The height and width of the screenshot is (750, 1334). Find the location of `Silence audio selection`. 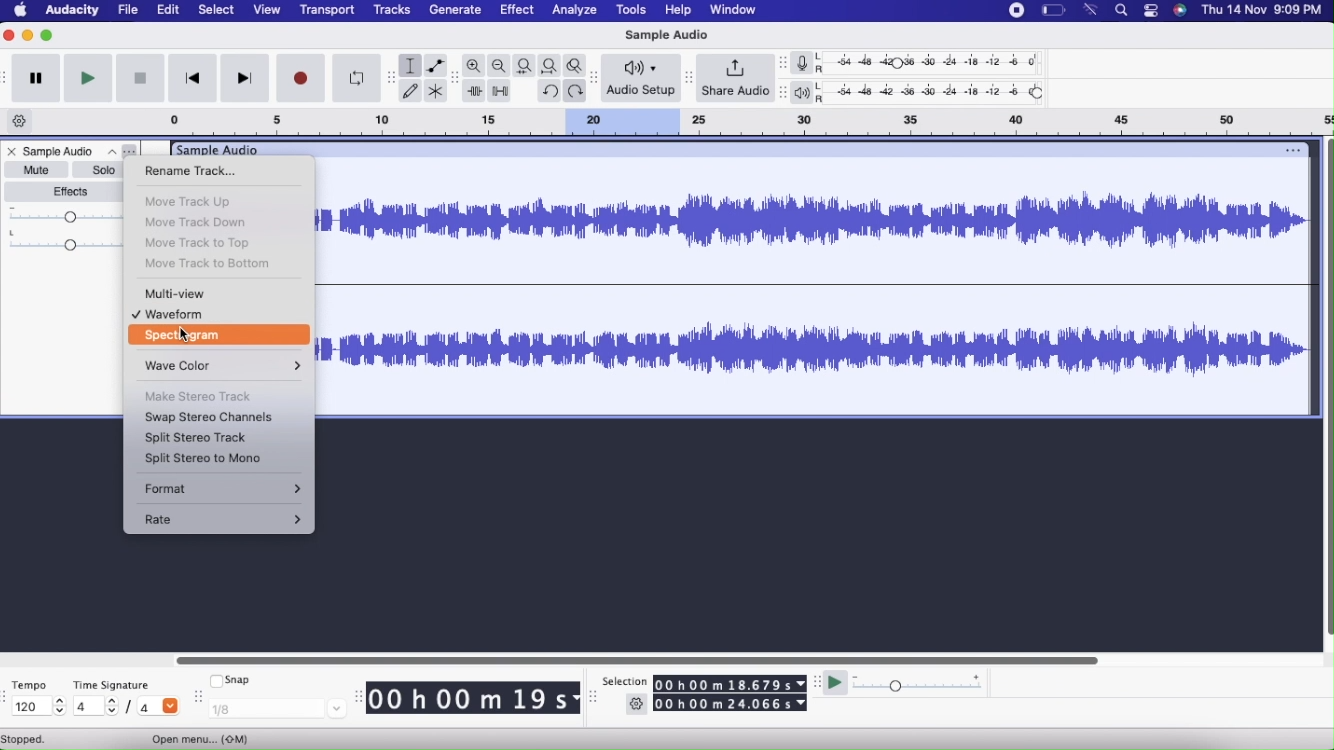

Silence audio selection is located at coordinates (500, 92).